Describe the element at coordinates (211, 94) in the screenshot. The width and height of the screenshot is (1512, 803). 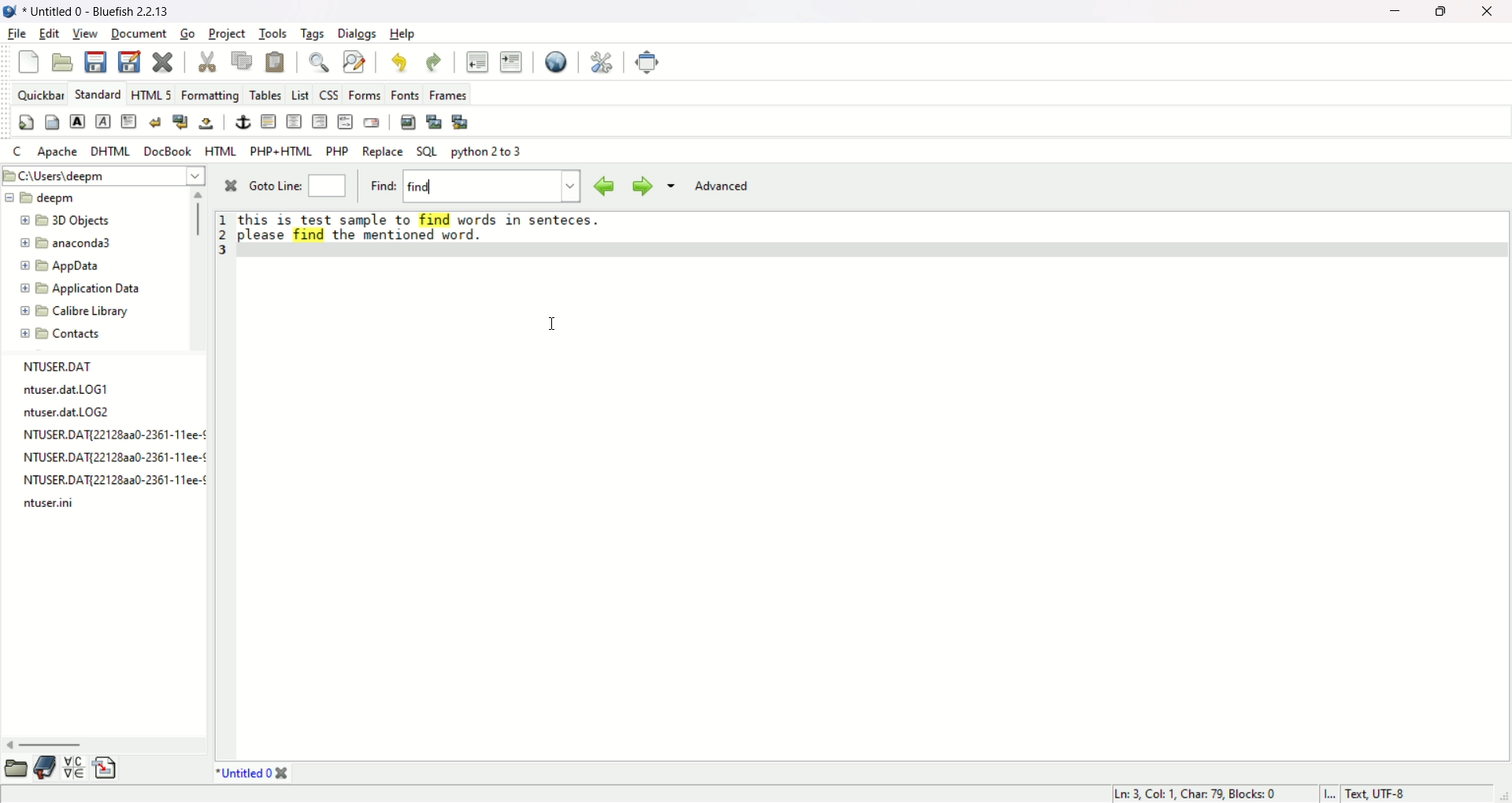
I see `formatting` at that location.